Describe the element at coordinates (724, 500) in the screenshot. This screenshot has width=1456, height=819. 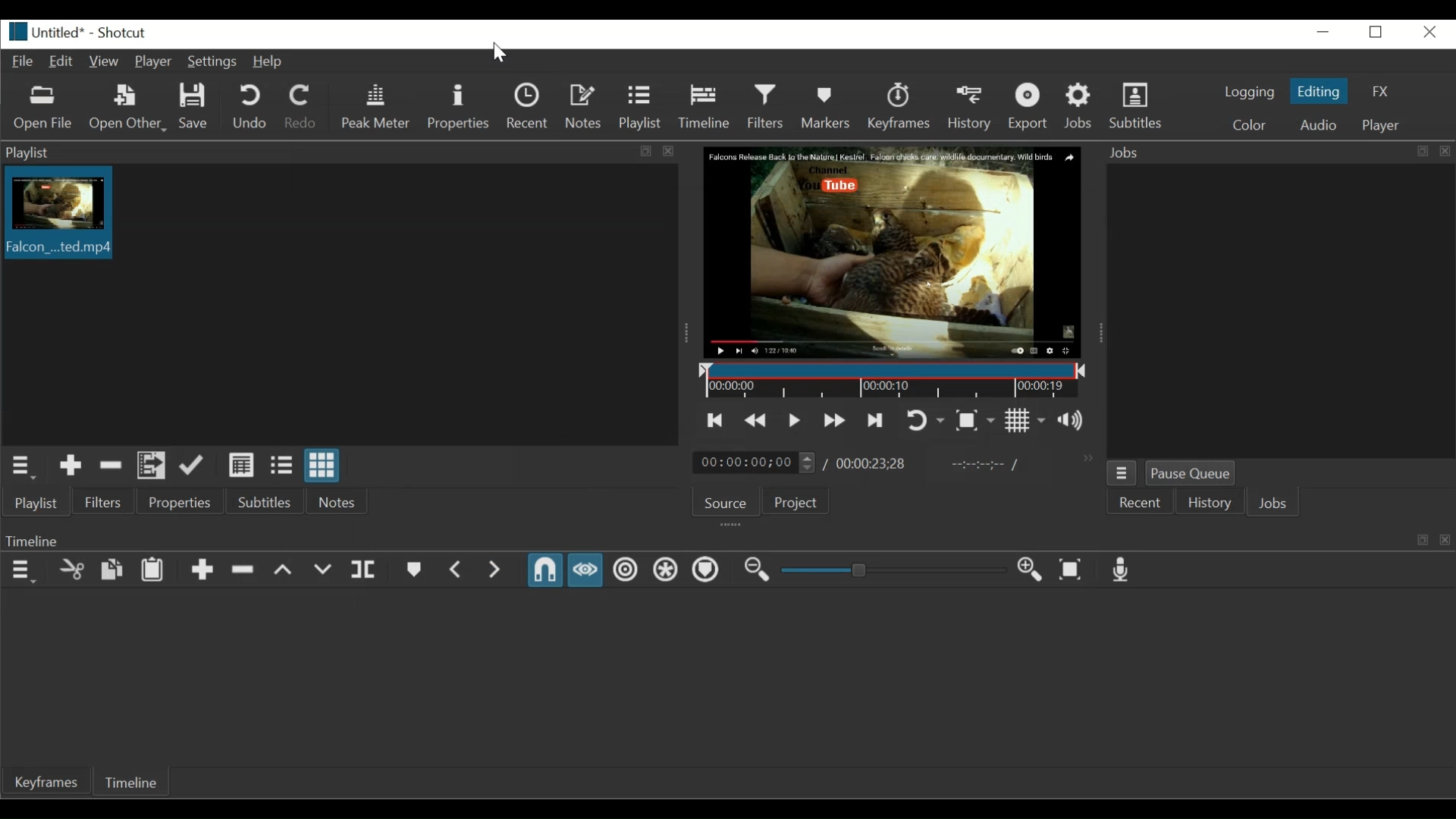
I see `Source` at that location.